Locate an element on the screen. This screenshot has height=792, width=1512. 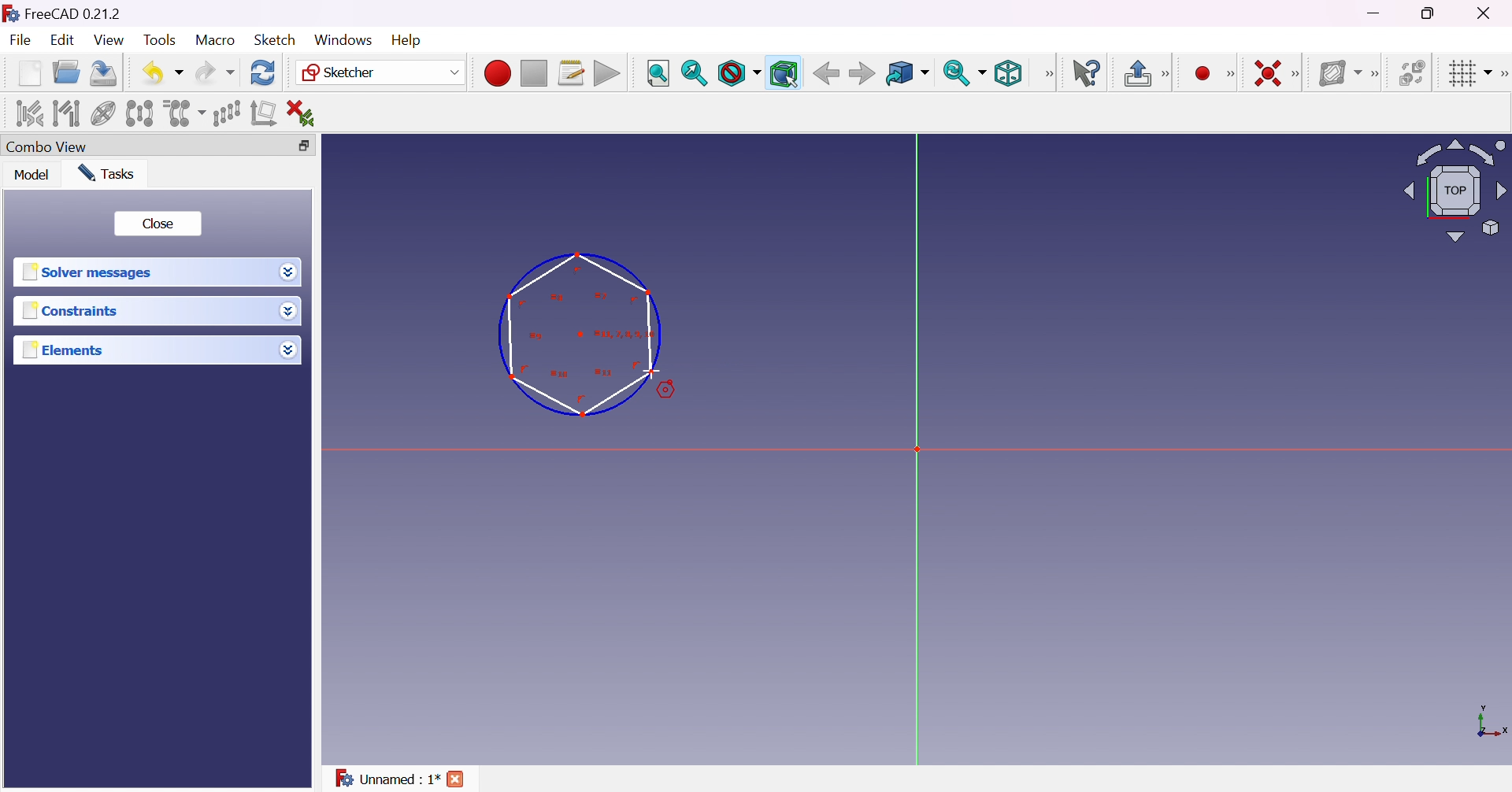
Clone is located at coordinates (183, 112).